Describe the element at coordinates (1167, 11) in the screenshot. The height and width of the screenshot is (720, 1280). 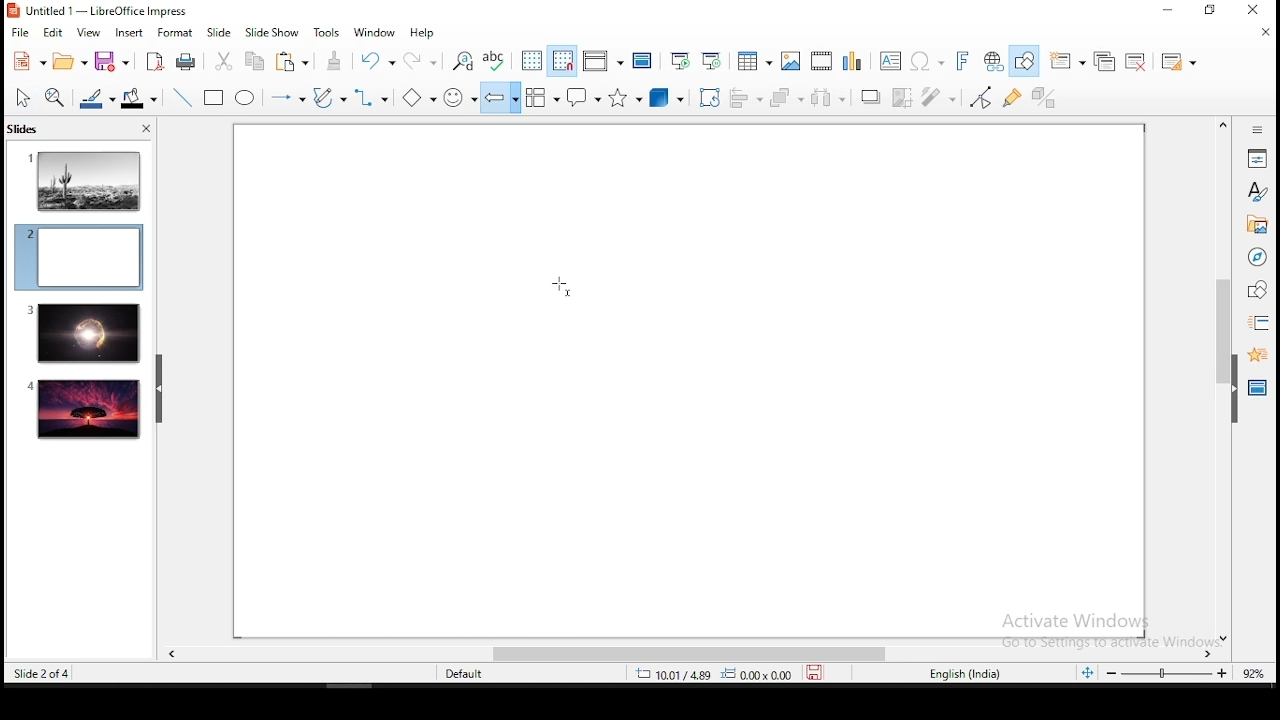
I see `minimize` at that location.